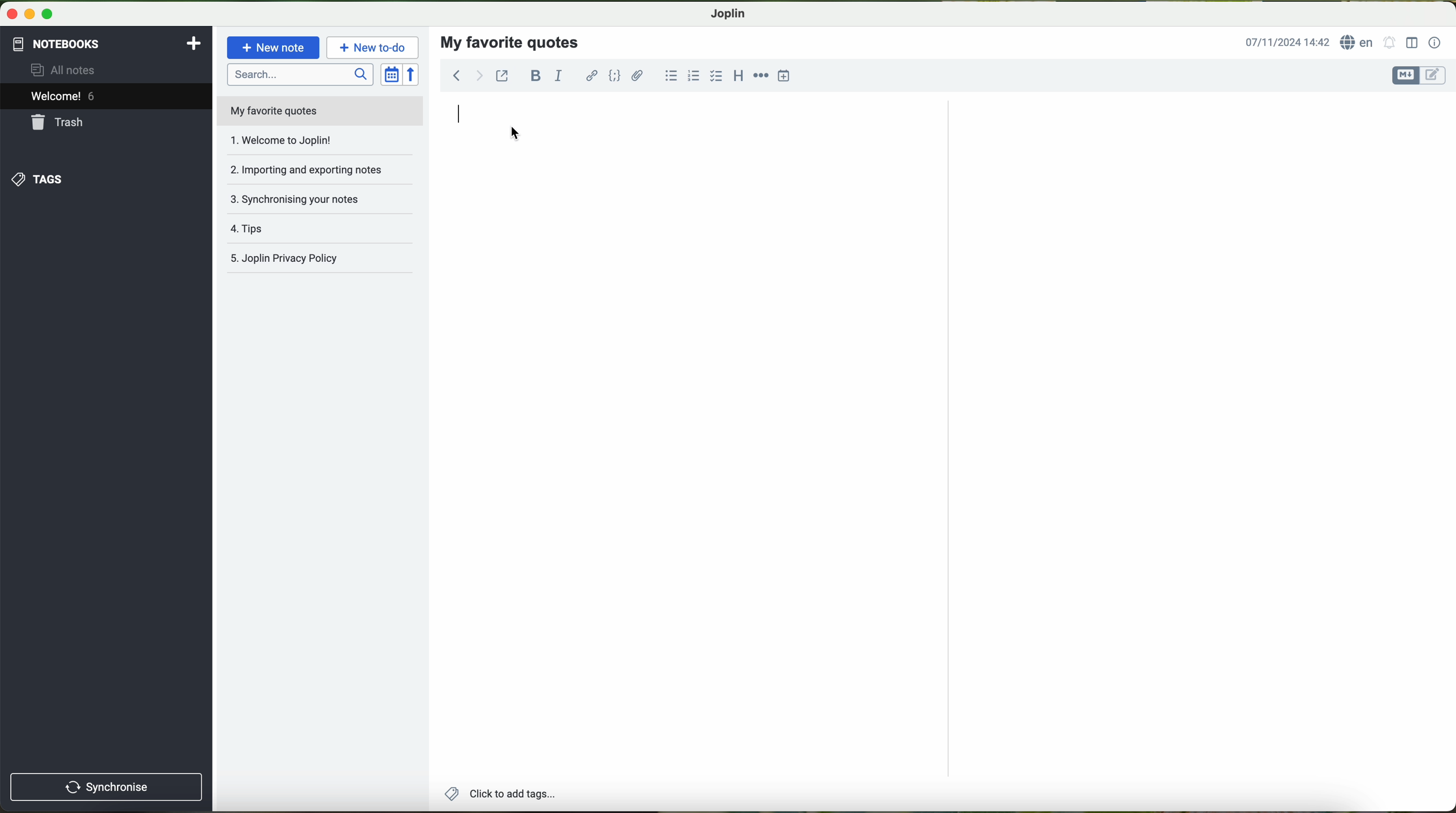  What do you see at coordinates (298, 73) in the screenshot?
I see `search bar` at bounding box center [298, 73].